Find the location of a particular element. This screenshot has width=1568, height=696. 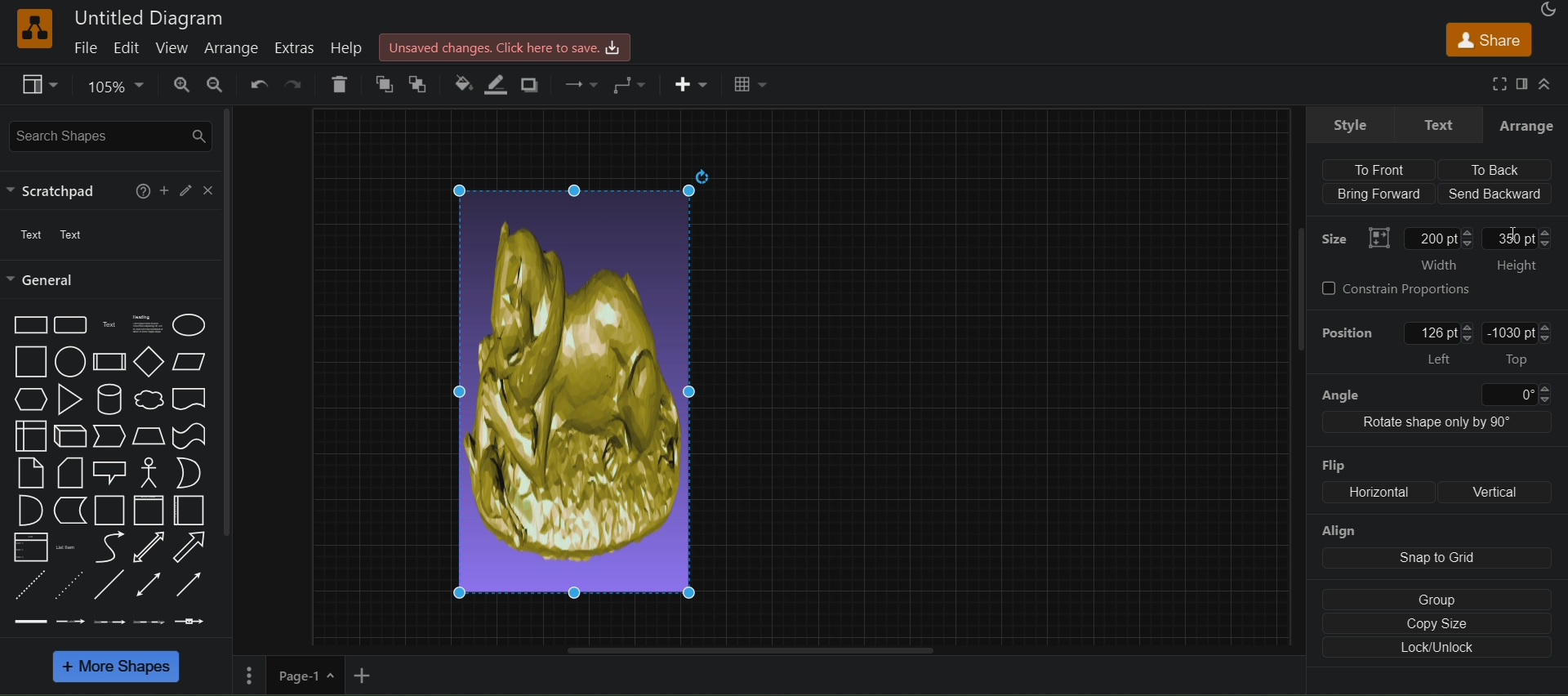

view is located at coordinates (40, 84).